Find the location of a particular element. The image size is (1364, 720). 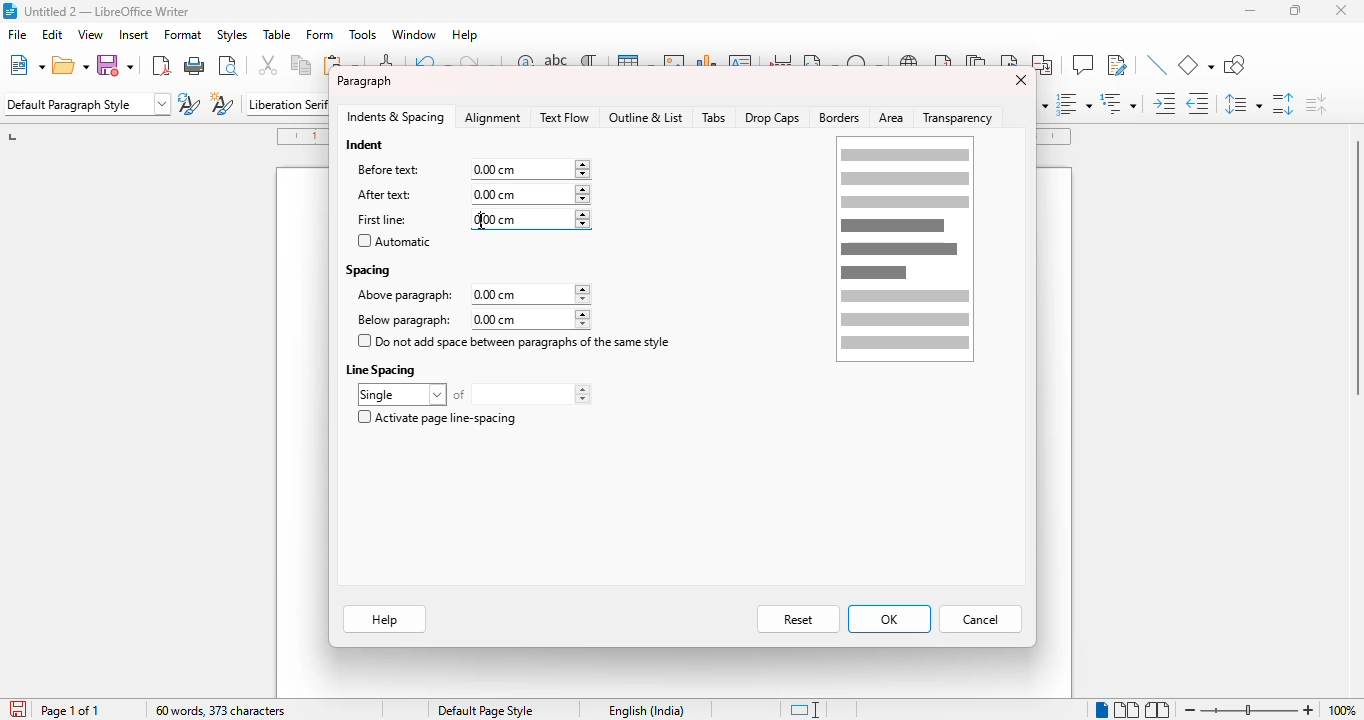

edit is located at coordinates (53, 34).